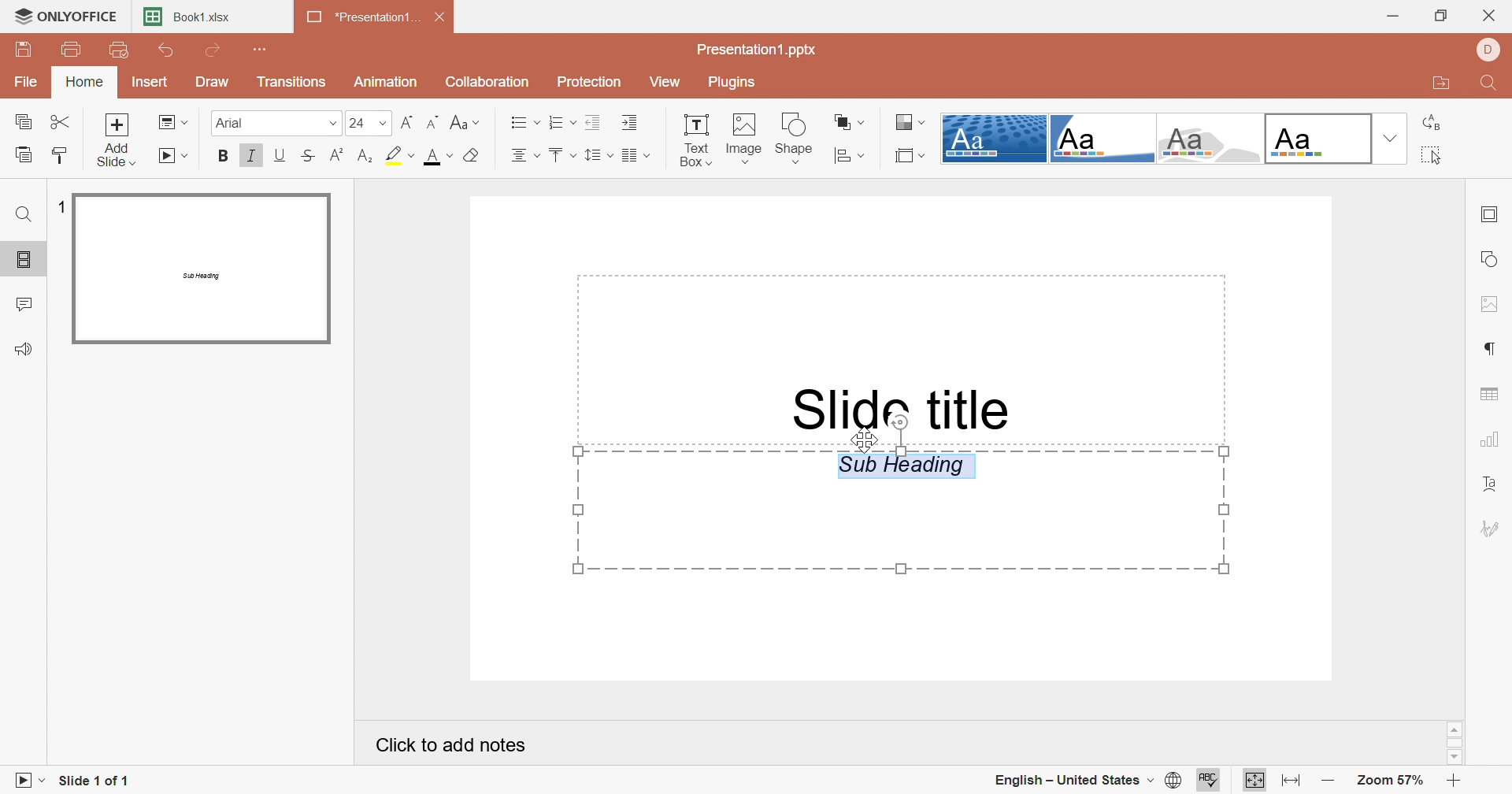 The image size is (1512, 794). I want to click on Bold, so click(221, 155).